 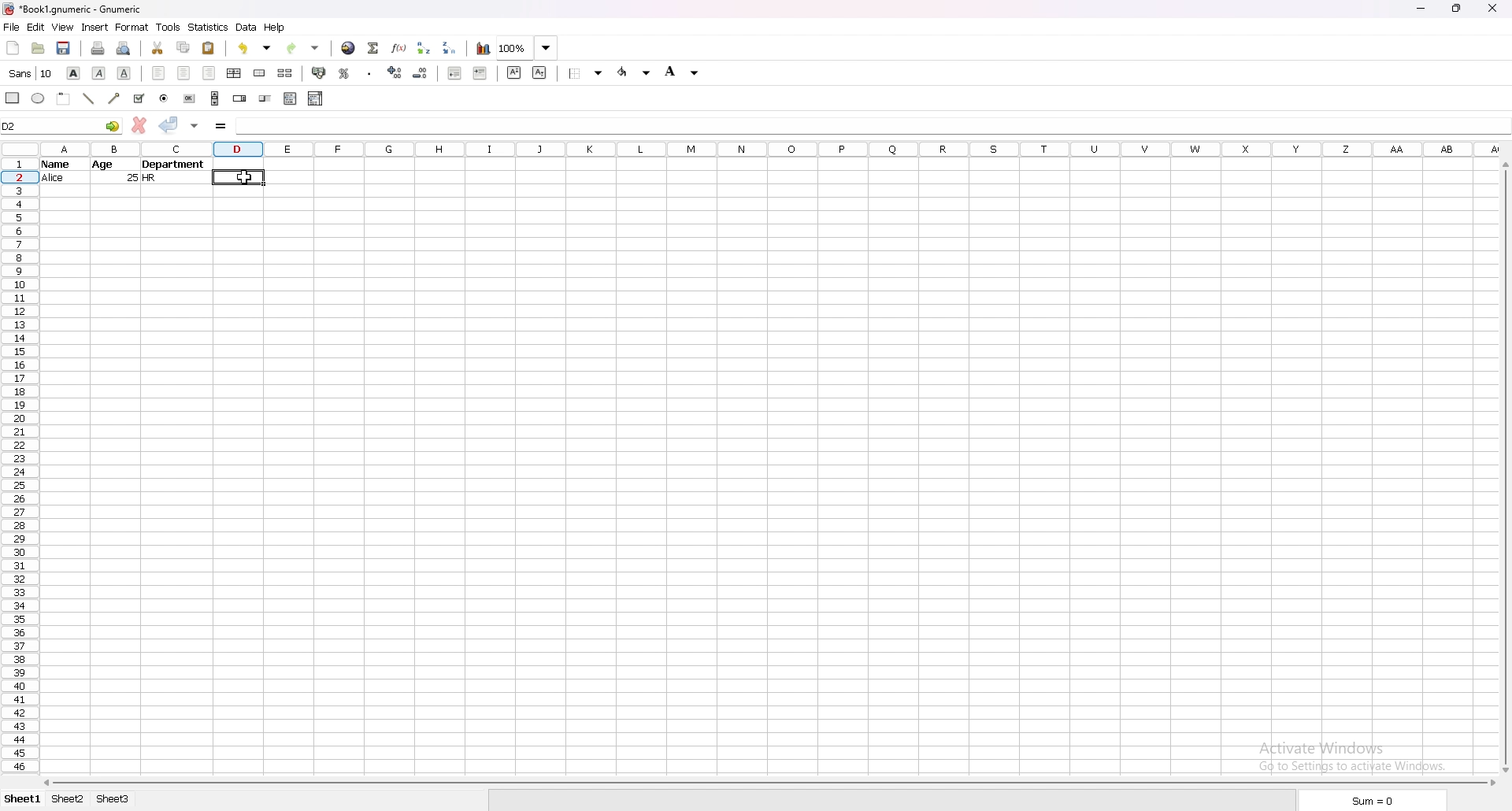 I want to click on bold, so click(x=75, y=72).